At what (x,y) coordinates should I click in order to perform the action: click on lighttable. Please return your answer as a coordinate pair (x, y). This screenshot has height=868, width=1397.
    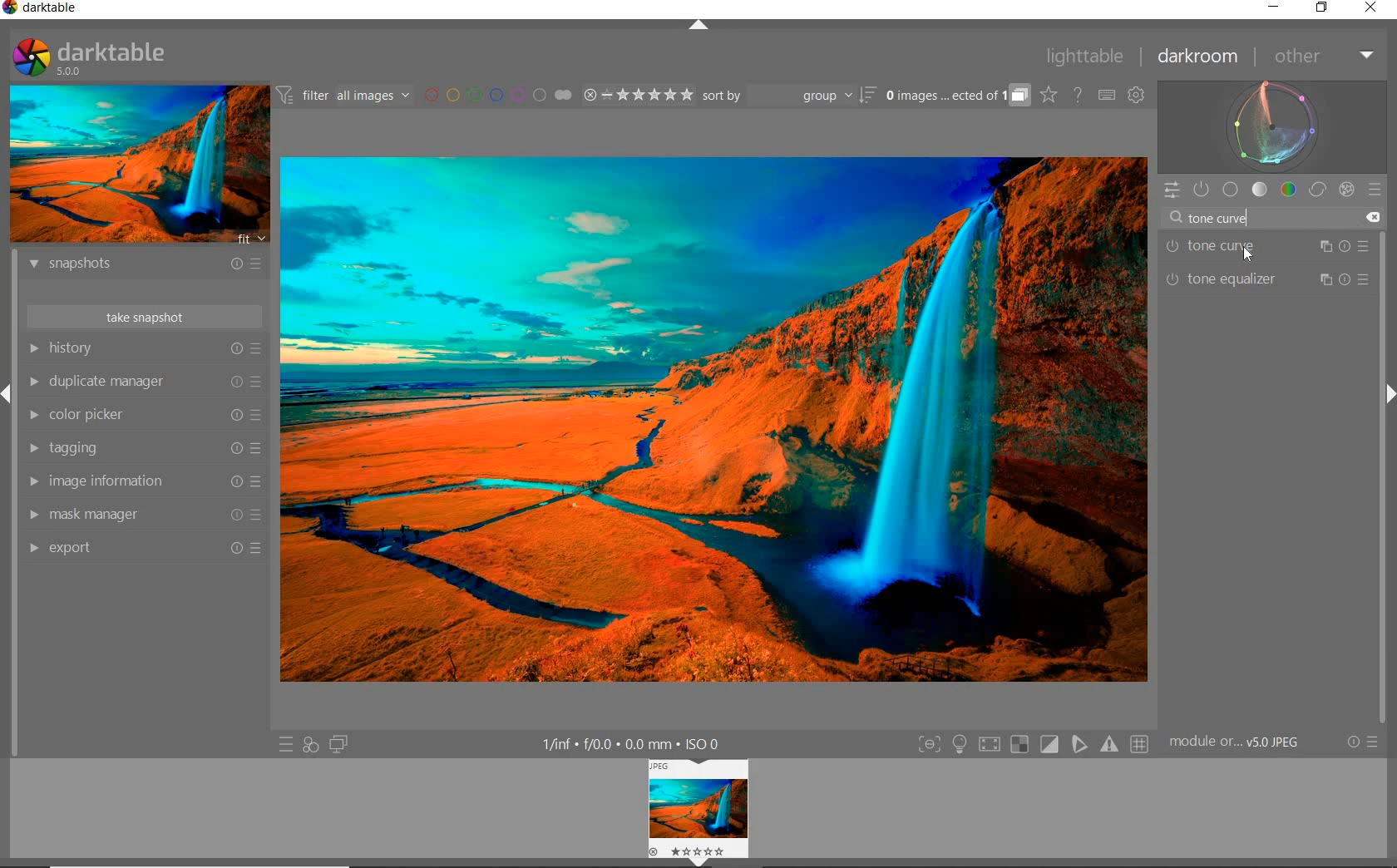
    Looking at the image, I should click on (1089, 57).